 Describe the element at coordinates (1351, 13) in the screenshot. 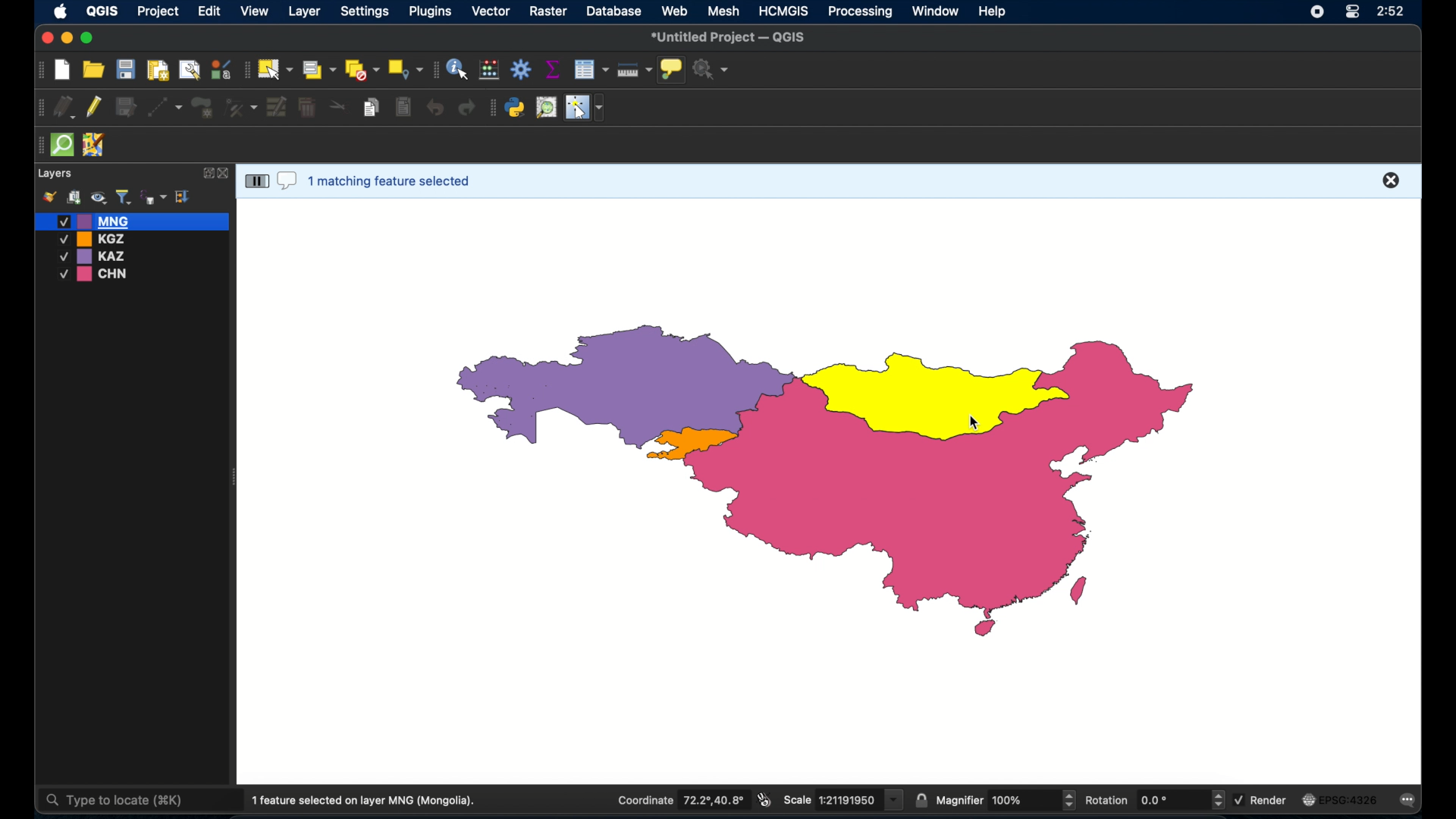

I see `control center` at that location.